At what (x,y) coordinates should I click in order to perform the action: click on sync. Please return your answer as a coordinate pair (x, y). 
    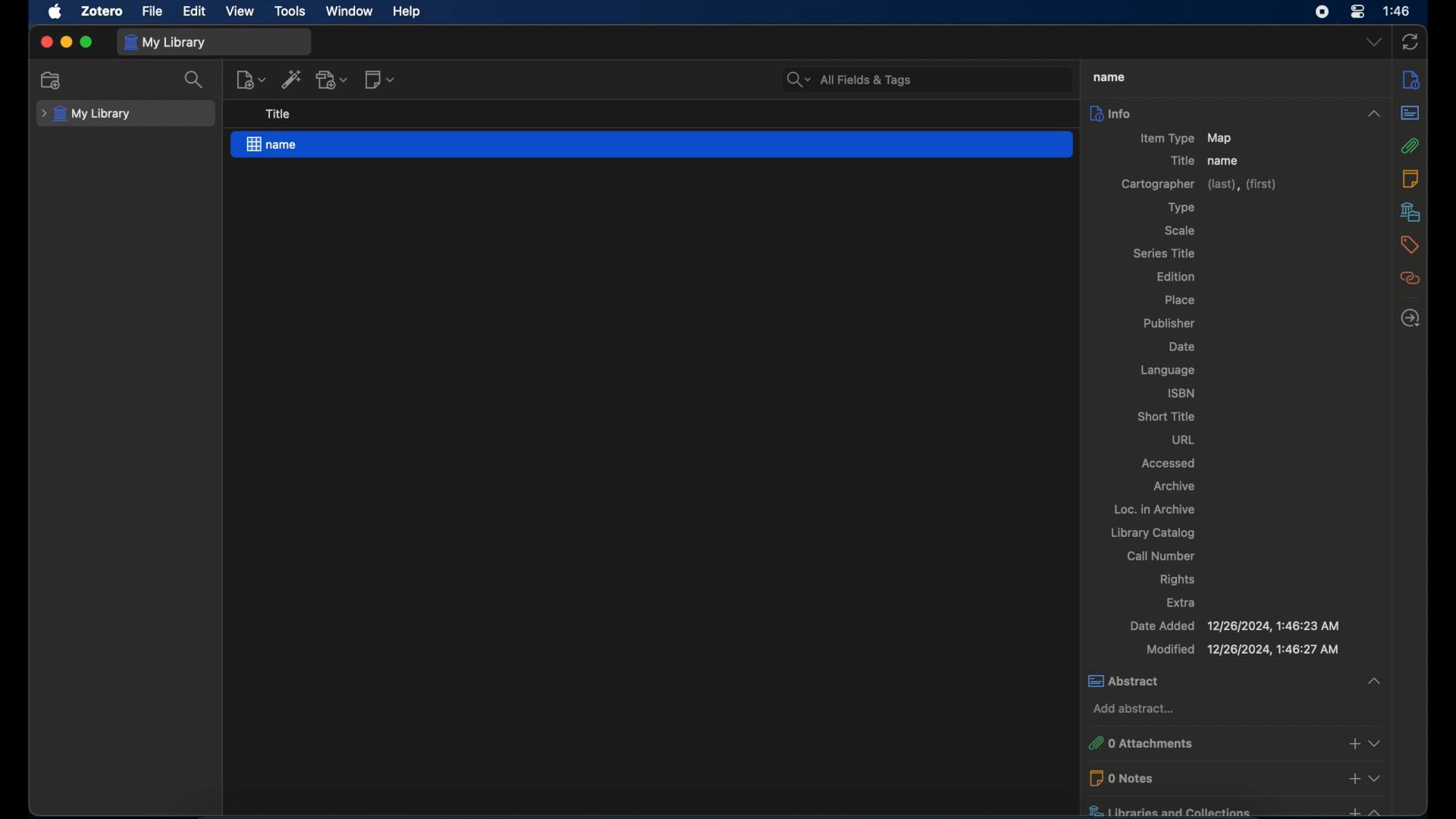
    Looking at the image, I should click on (1411, 42).